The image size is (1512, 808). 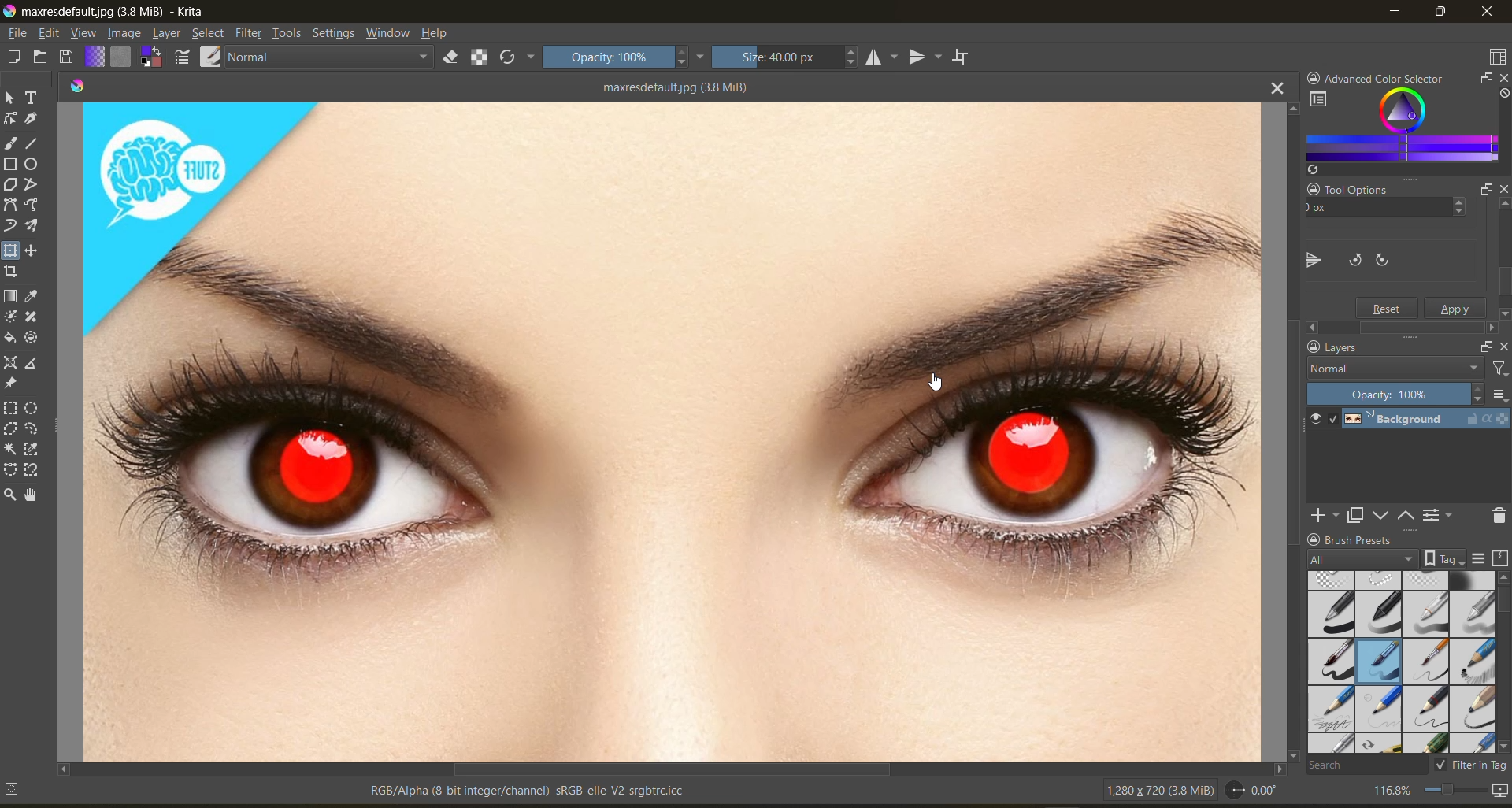 What do you see at coordinates (10, 447) in the screenshot?
I see `tool` at bounding box center [10, 447].